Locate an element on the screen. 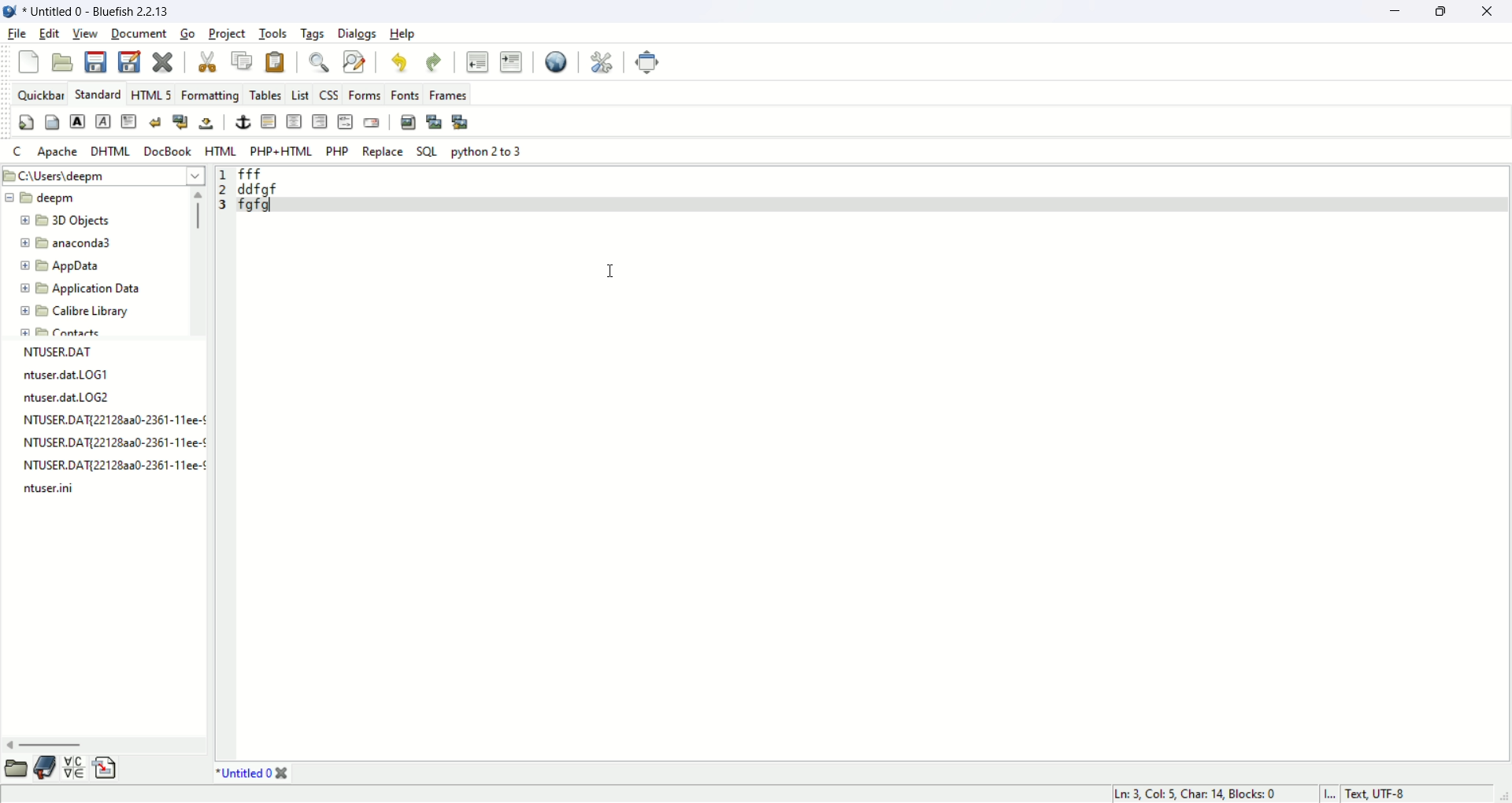  Untitled 0 is located at coordinates (257, 775).